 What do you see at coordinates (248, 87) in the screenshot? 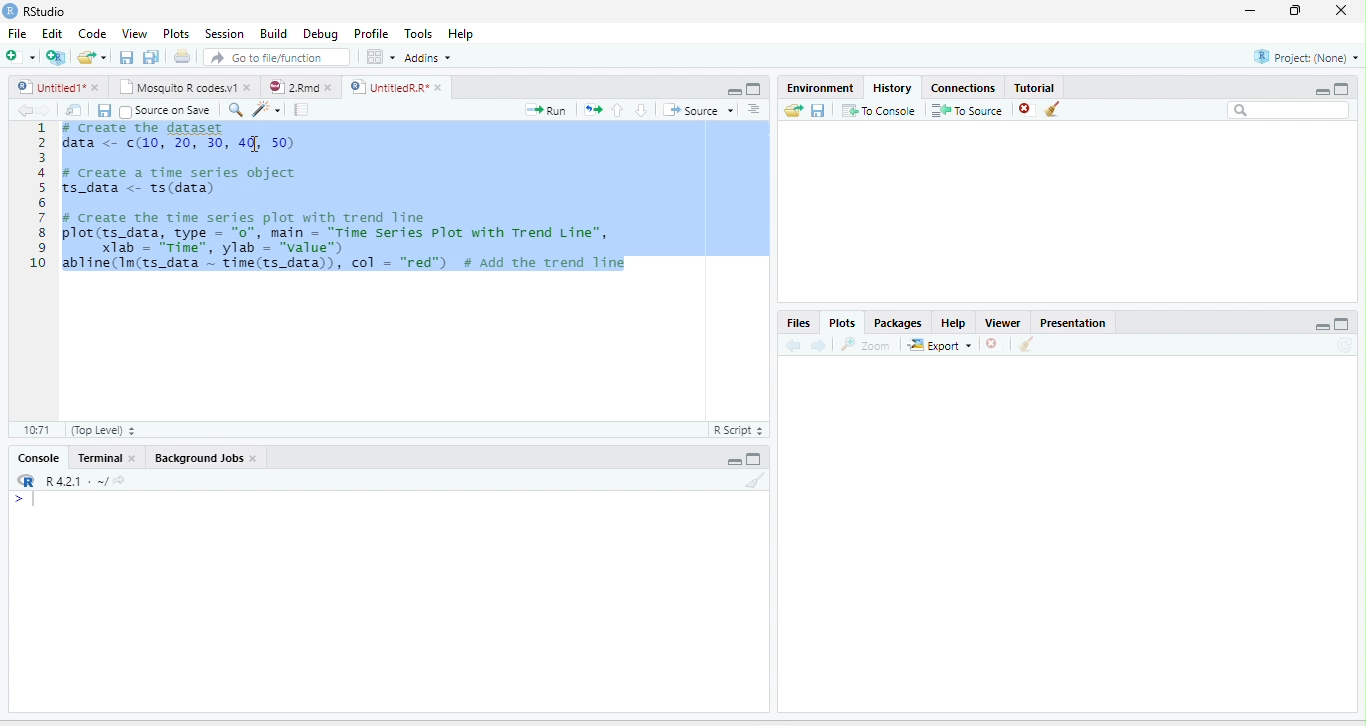
I see `close` at bounding box center [248, 87].